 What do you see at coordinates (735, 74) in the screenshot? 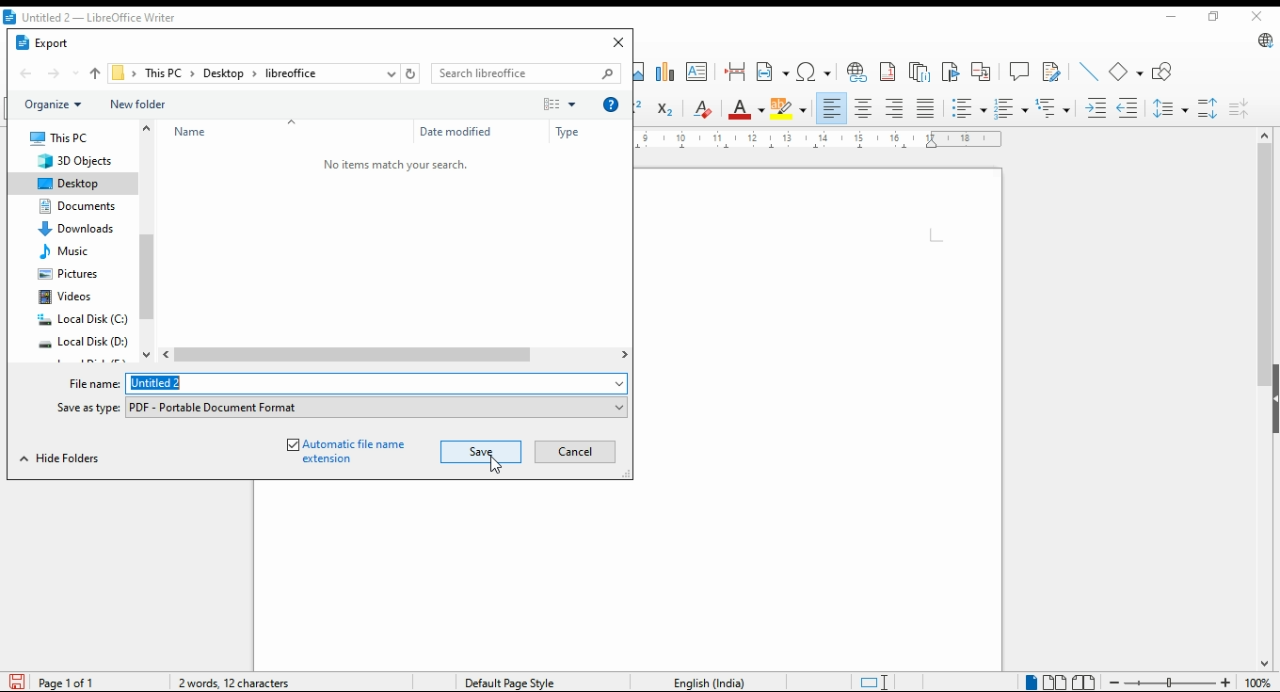
I see `insert page break` at bounding box center [735, 74].